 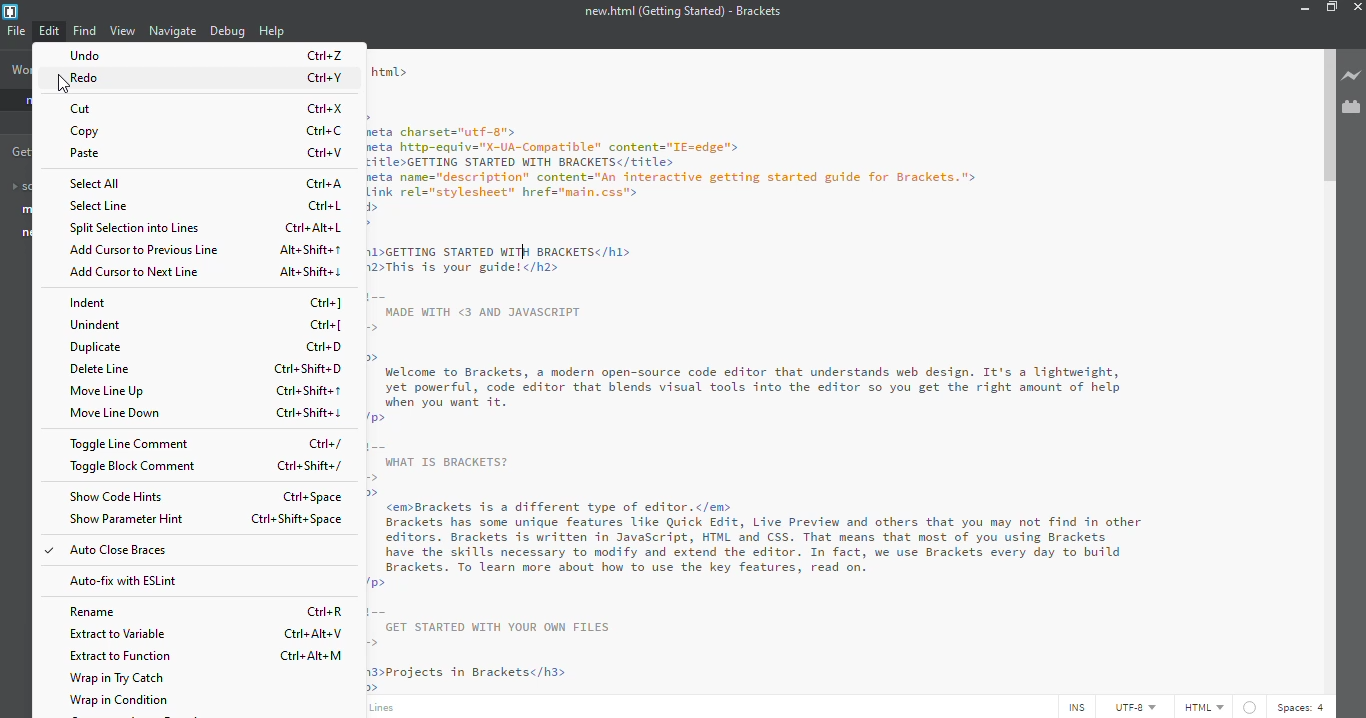 I want to click on ctrl+shift+/, so click(x=313, y=467).